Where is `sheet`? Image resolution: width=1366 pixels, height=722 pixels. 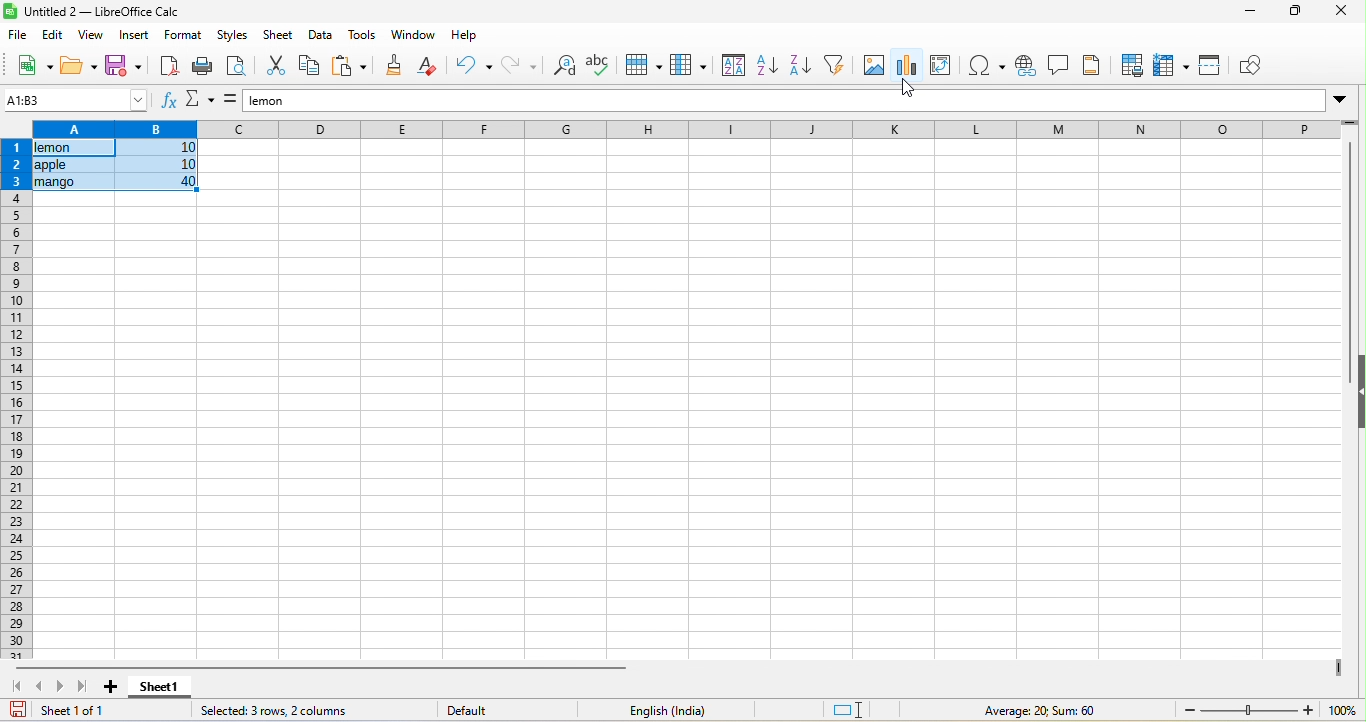
sheet is located at coordinates (280, 37).